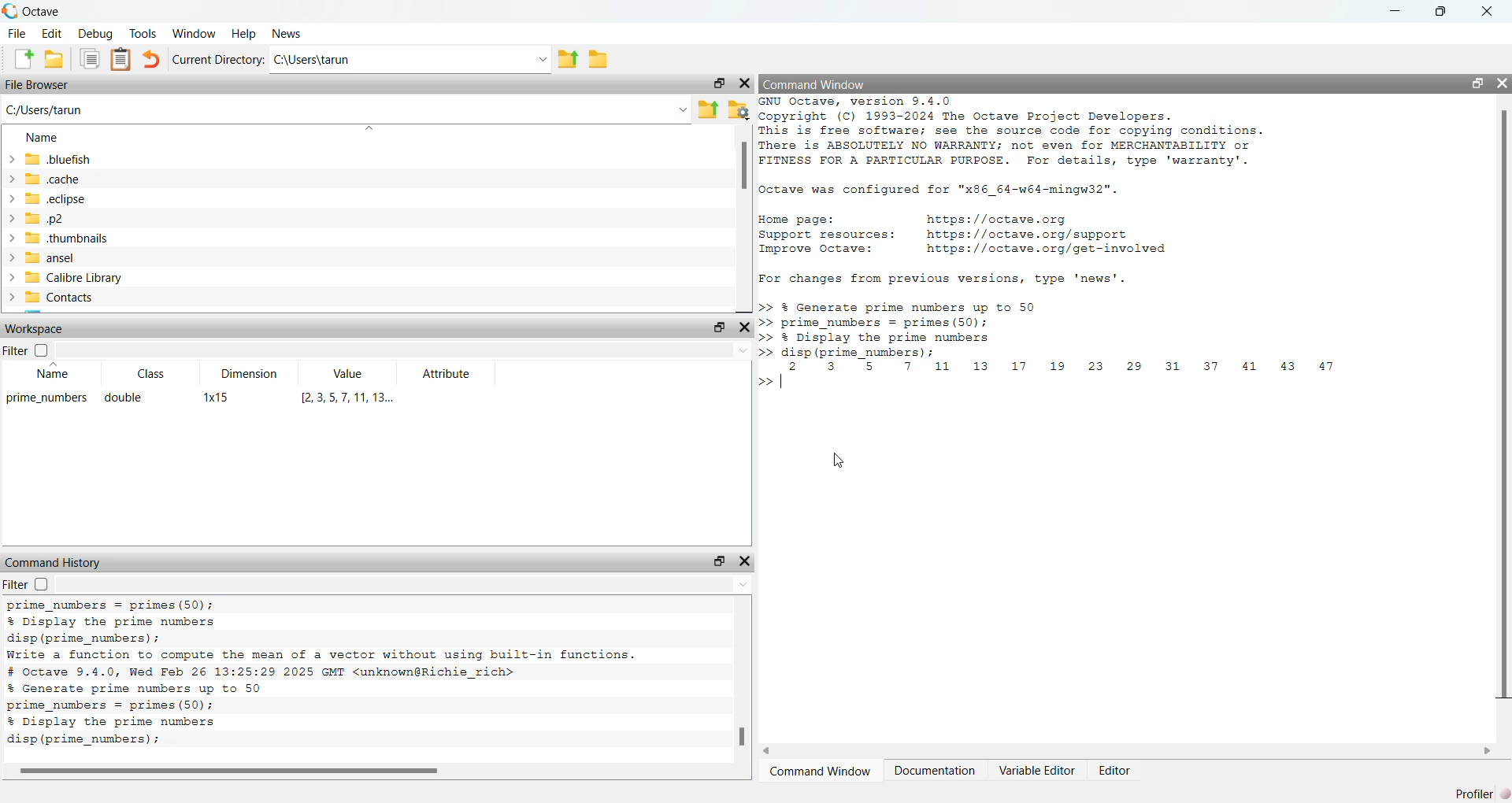 The height and width of the screenshot is (803, 1512). I want to click on >> % Generate prime numbers up to 50>> prime_numbers = primes (50);>> % Display the prime numbers>> disp (prime_numbers);2 3 5 7 11 13 17 13 23 29 31 37 41 43 47>> , so click(1052, 335).